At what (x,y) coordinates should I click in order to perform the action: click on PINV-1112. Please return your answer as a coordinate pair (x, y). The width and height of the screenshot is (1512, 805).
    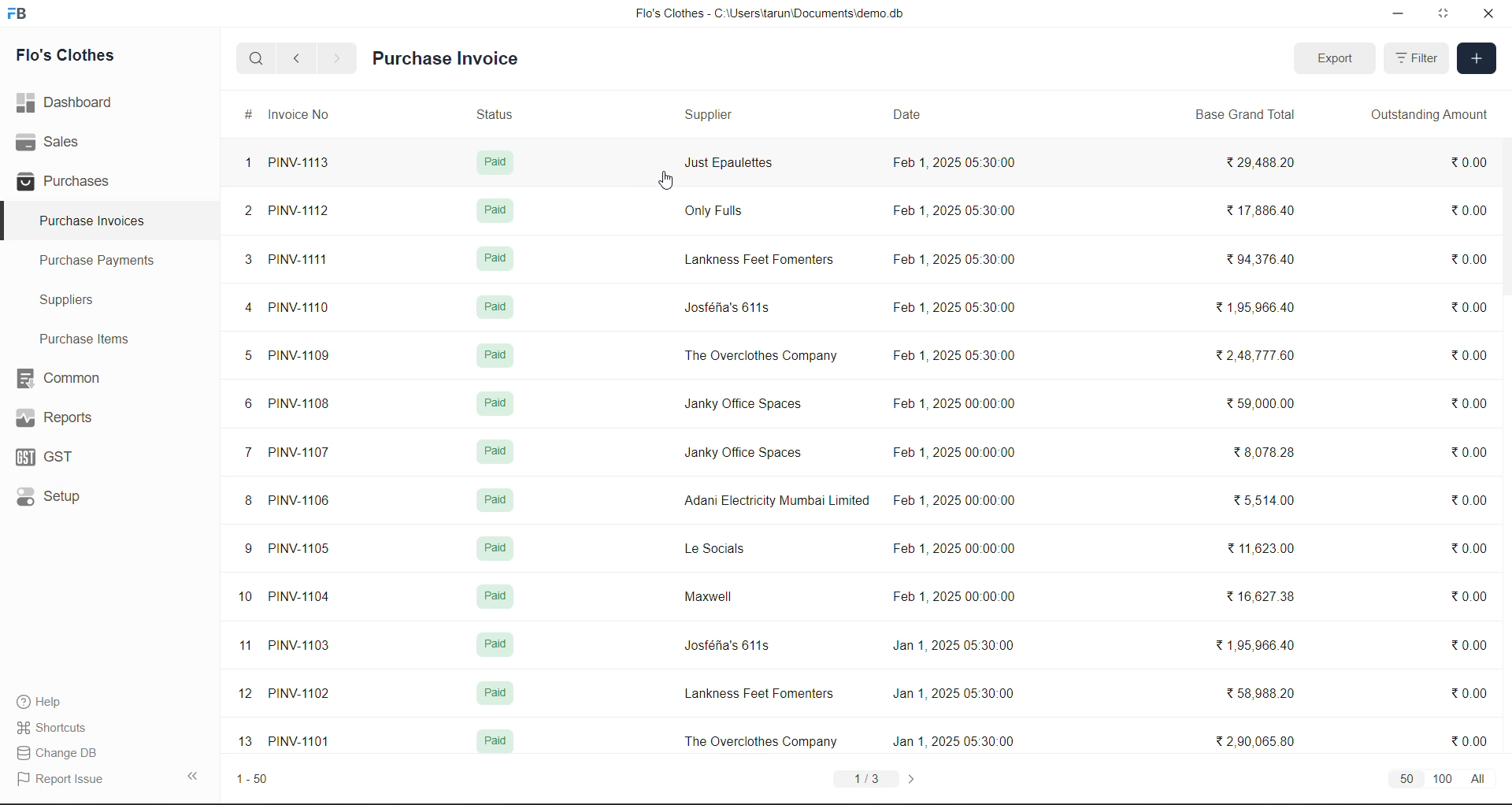
    Looking at the image, I should click on (300, 211).